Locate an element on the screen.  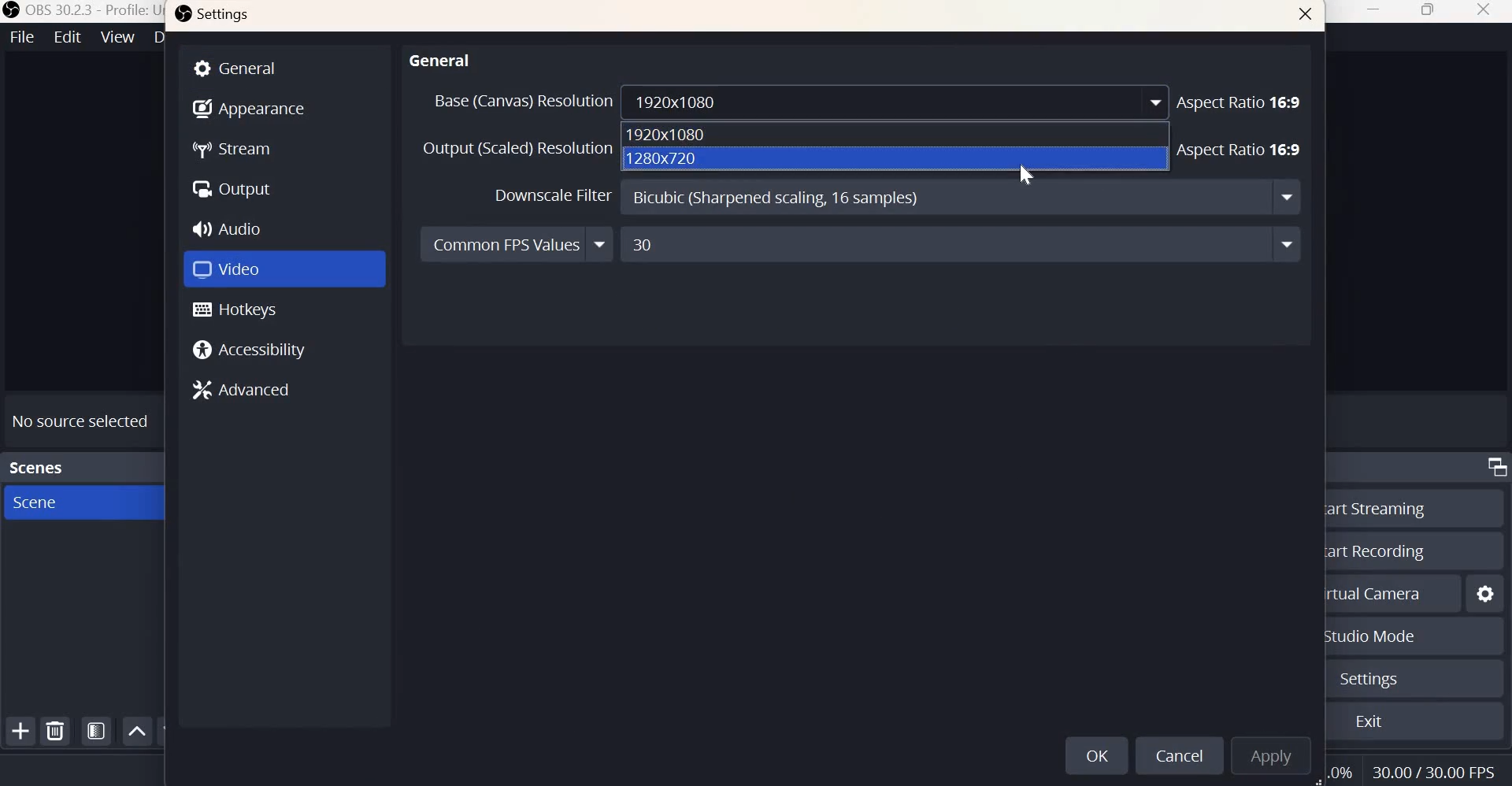
Start recording is located at coordinates (1377, 550).